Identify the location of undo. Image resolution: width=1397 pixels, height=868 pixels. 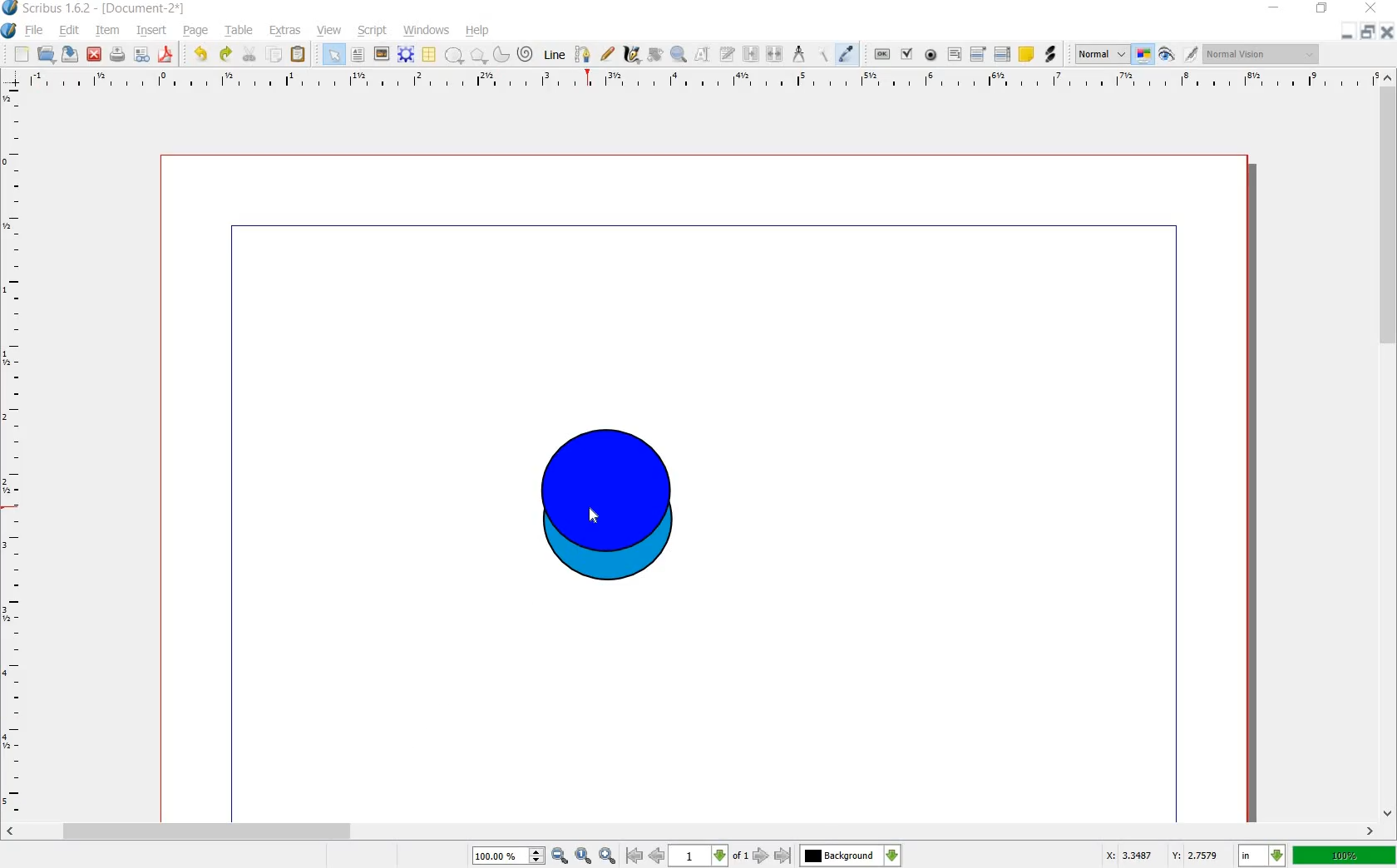
(202, 55).